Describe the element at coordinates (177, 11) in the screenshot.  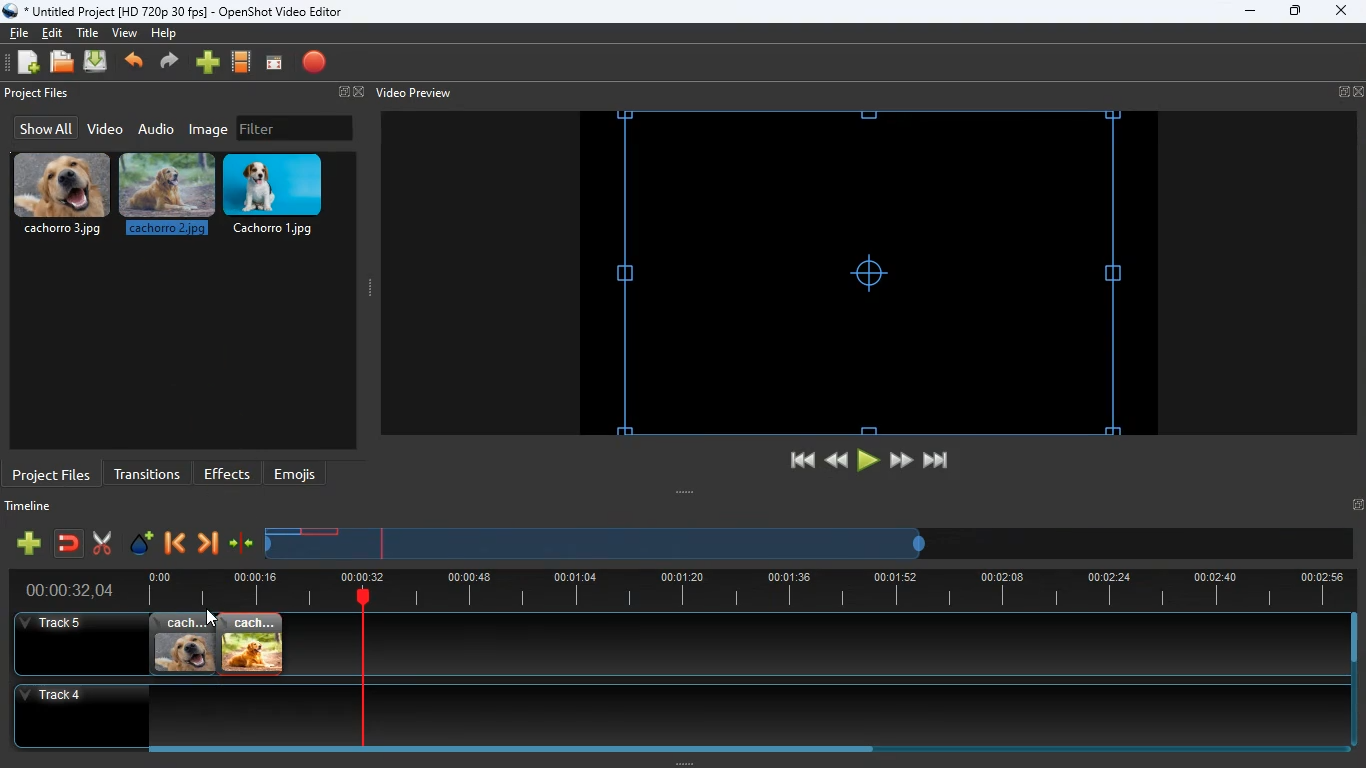
I see `* Untitled Project [HD 720p 30 fps] - OpenShot Video Editor` at that location.